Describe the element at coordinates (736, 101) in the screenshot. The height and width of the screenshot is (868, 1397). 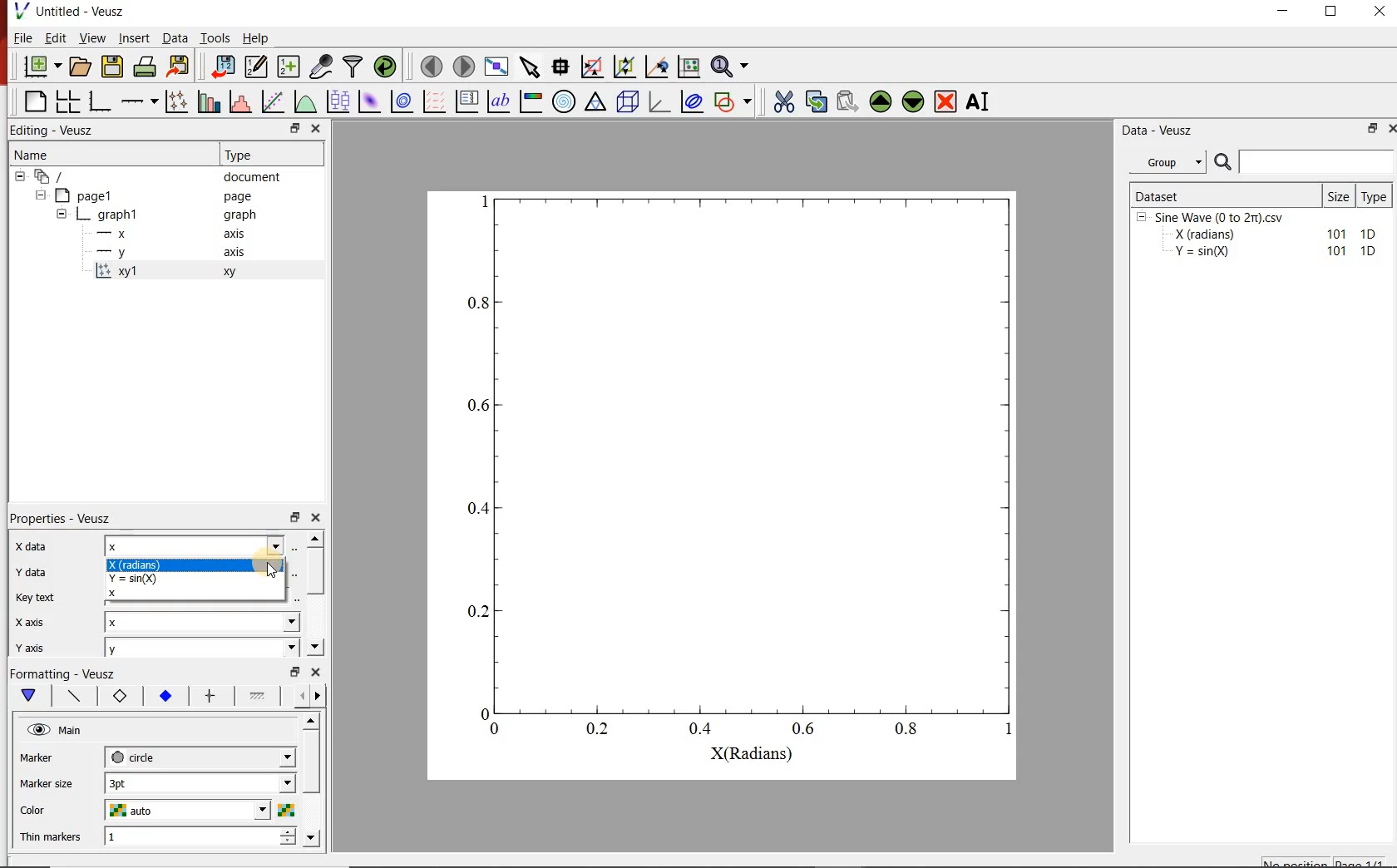
I see `add a shape to the plot` at that location.